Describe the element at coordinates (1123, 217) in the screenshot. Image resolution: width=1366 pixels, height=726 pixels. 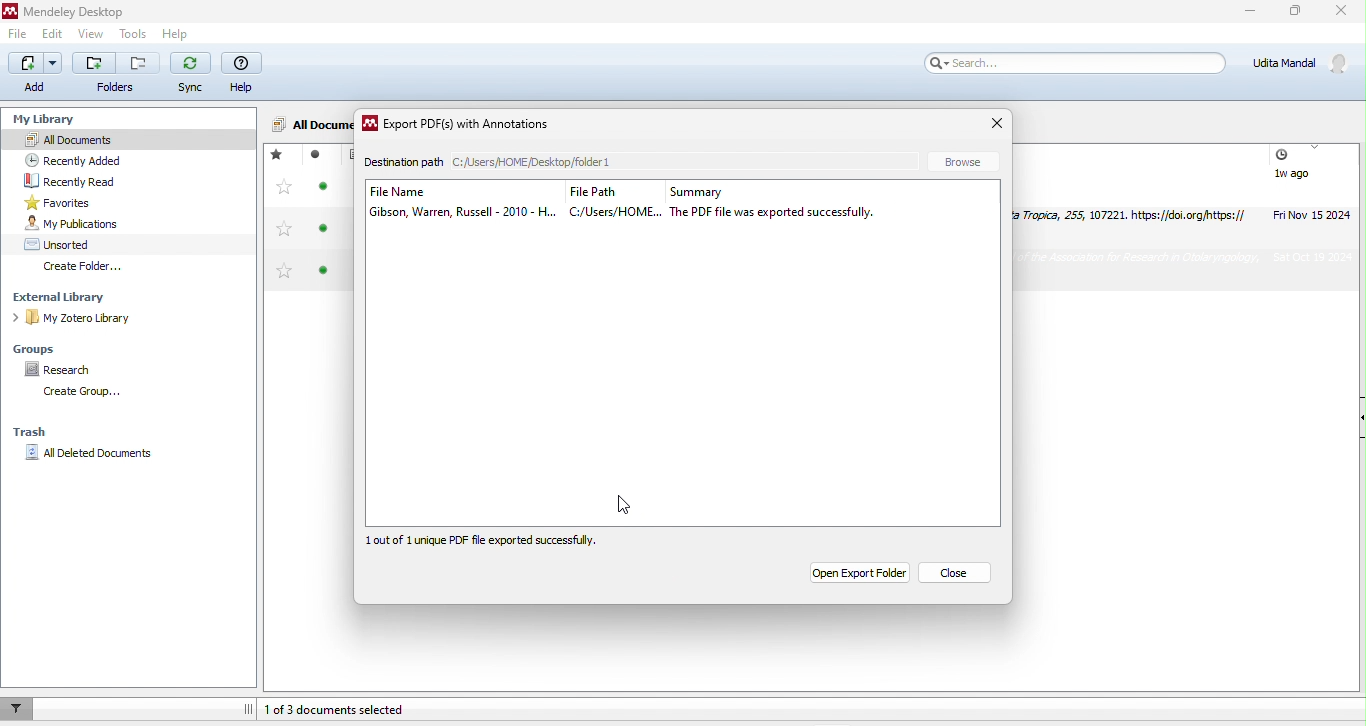
I see `| la Tropica, 255, 107221. https:/fdoi.org/ttps: |` at that location.